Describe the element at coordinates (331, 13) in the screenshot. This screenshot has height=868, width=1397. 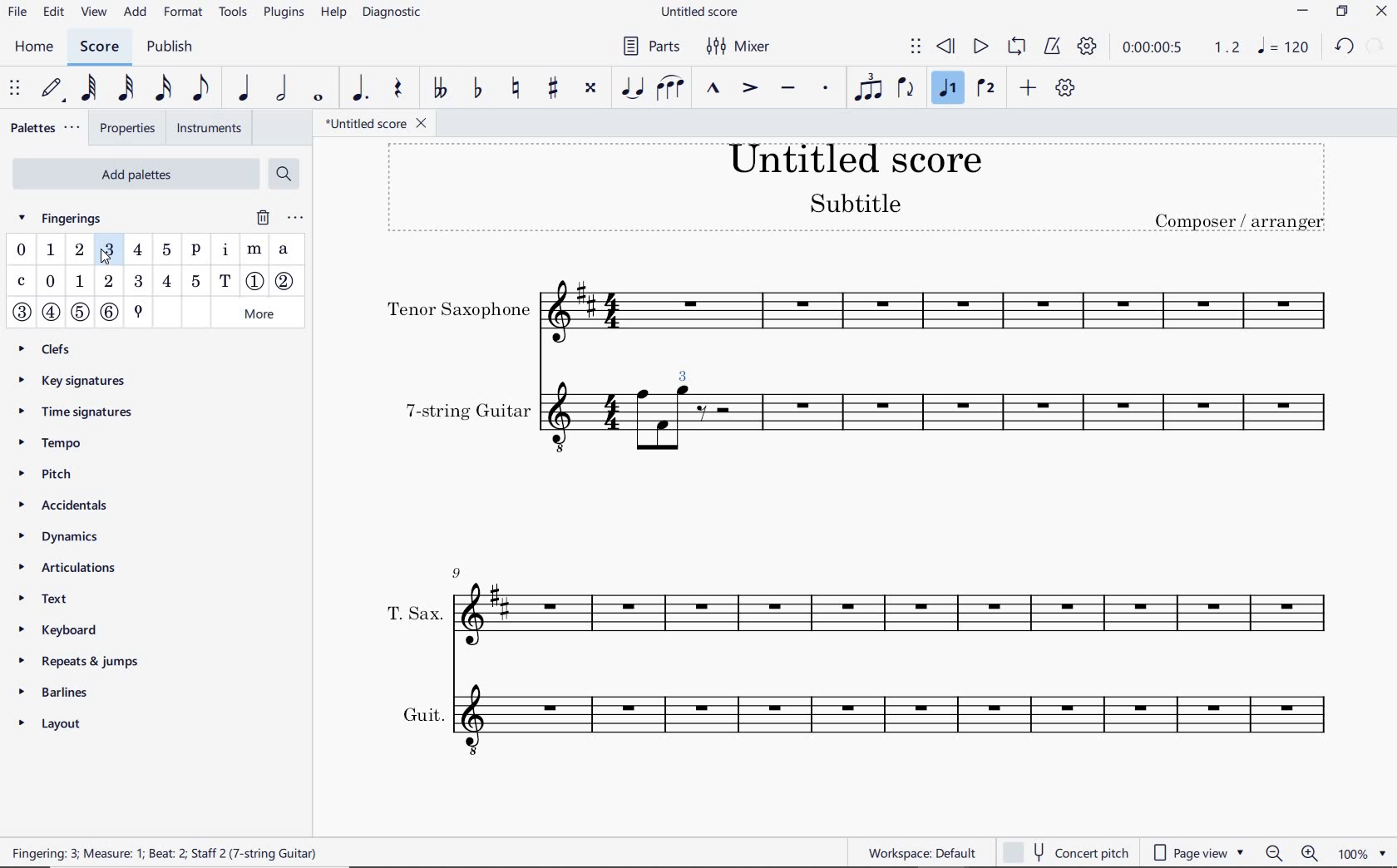
I see `HELP` at that location.